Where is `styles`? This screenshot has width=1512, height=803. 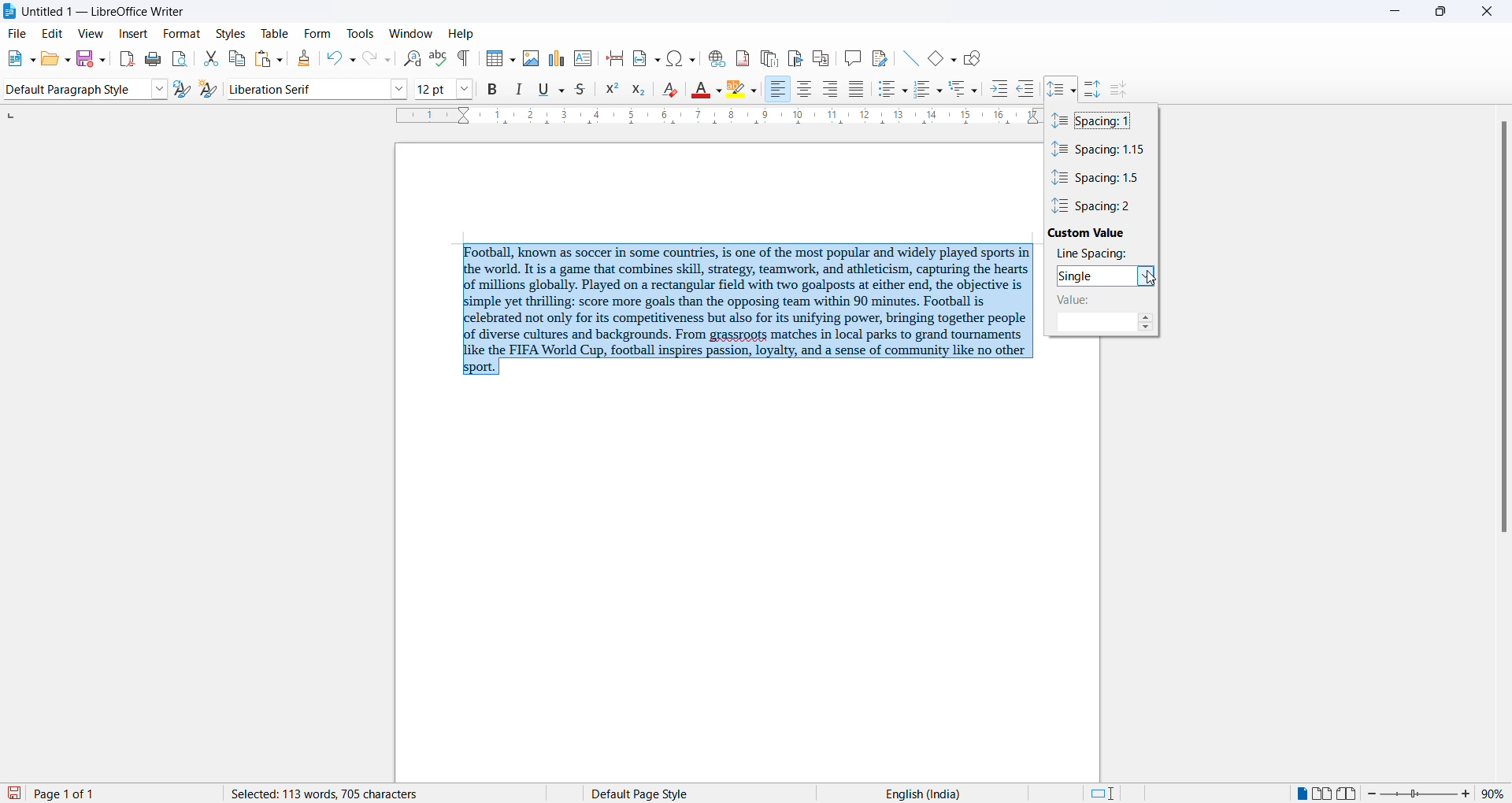
styles is located at coordinates (231, 34).